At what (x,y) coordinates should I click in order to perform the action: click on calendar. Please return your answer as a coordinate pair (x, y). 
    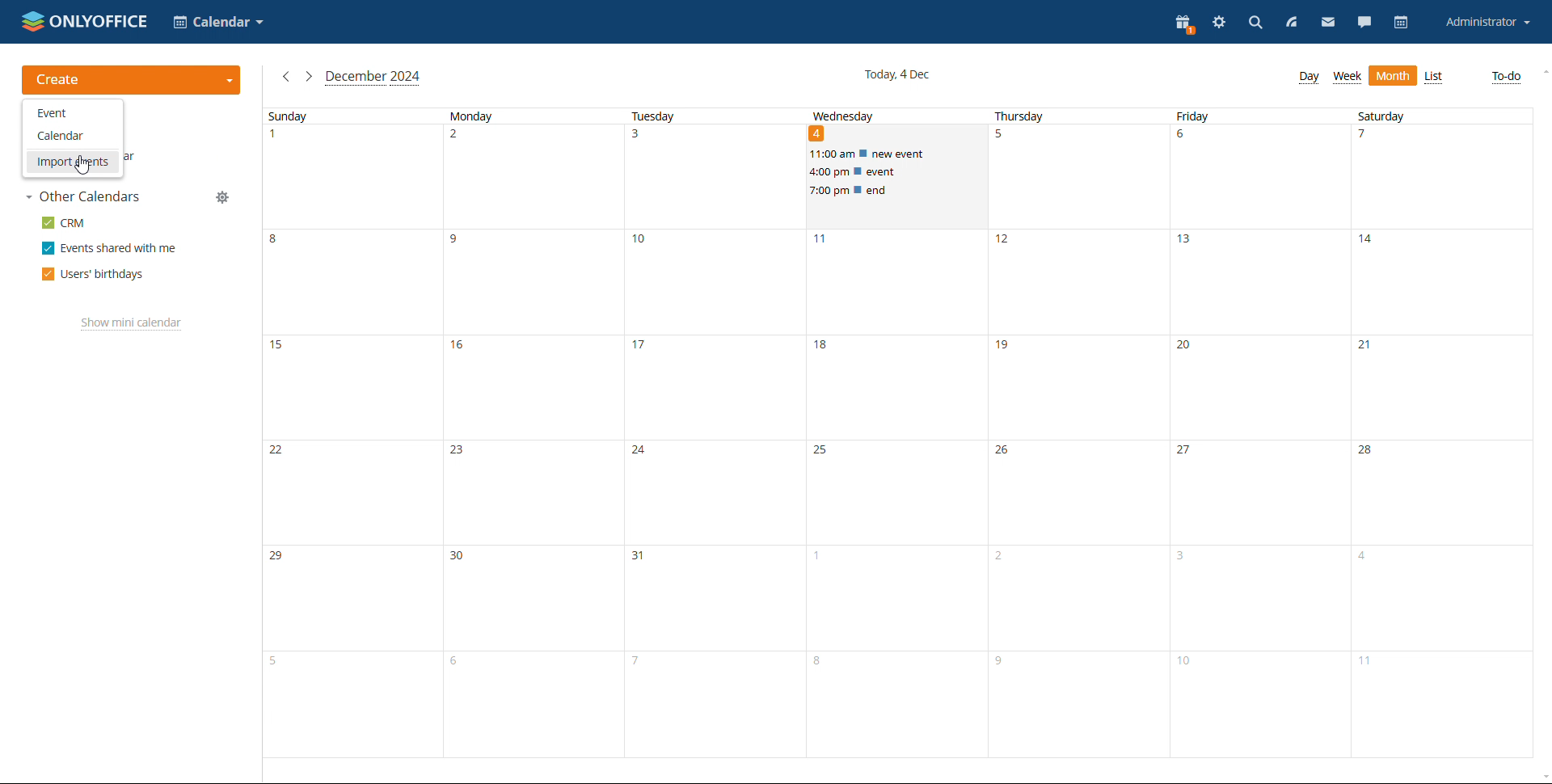
    Looking at the image, I should click on (1402, 23).